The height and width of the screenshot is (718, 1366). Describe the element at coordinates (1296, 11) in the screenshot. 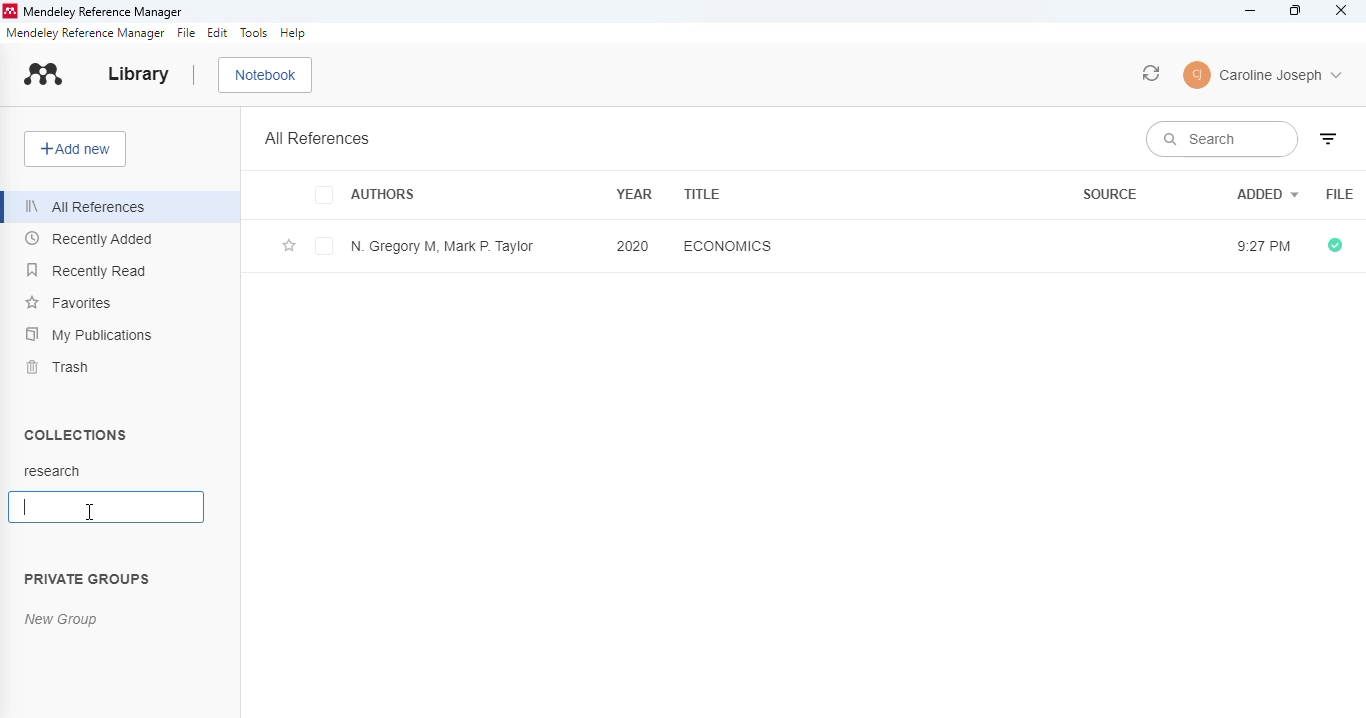

I see `maximize` at that location.